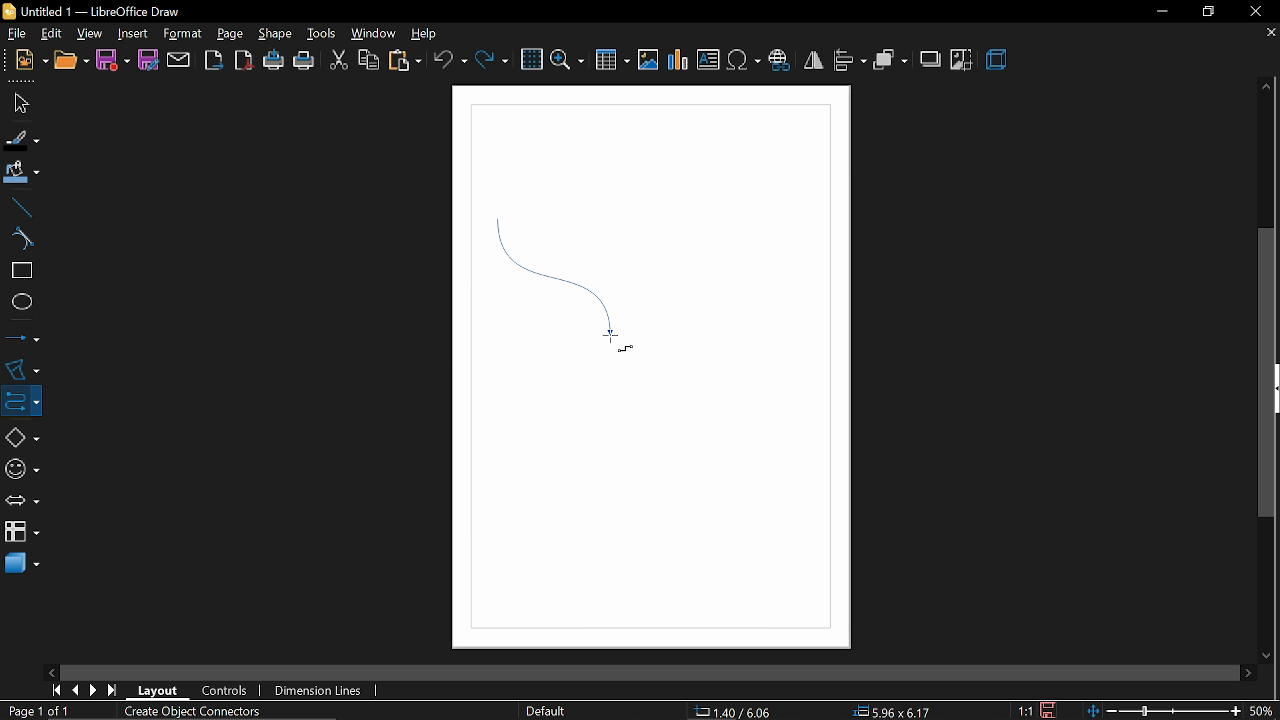 Image resolution: width=1280 pixels, height=720 pixels. I want to click on Insert chart, so click(679, 60).